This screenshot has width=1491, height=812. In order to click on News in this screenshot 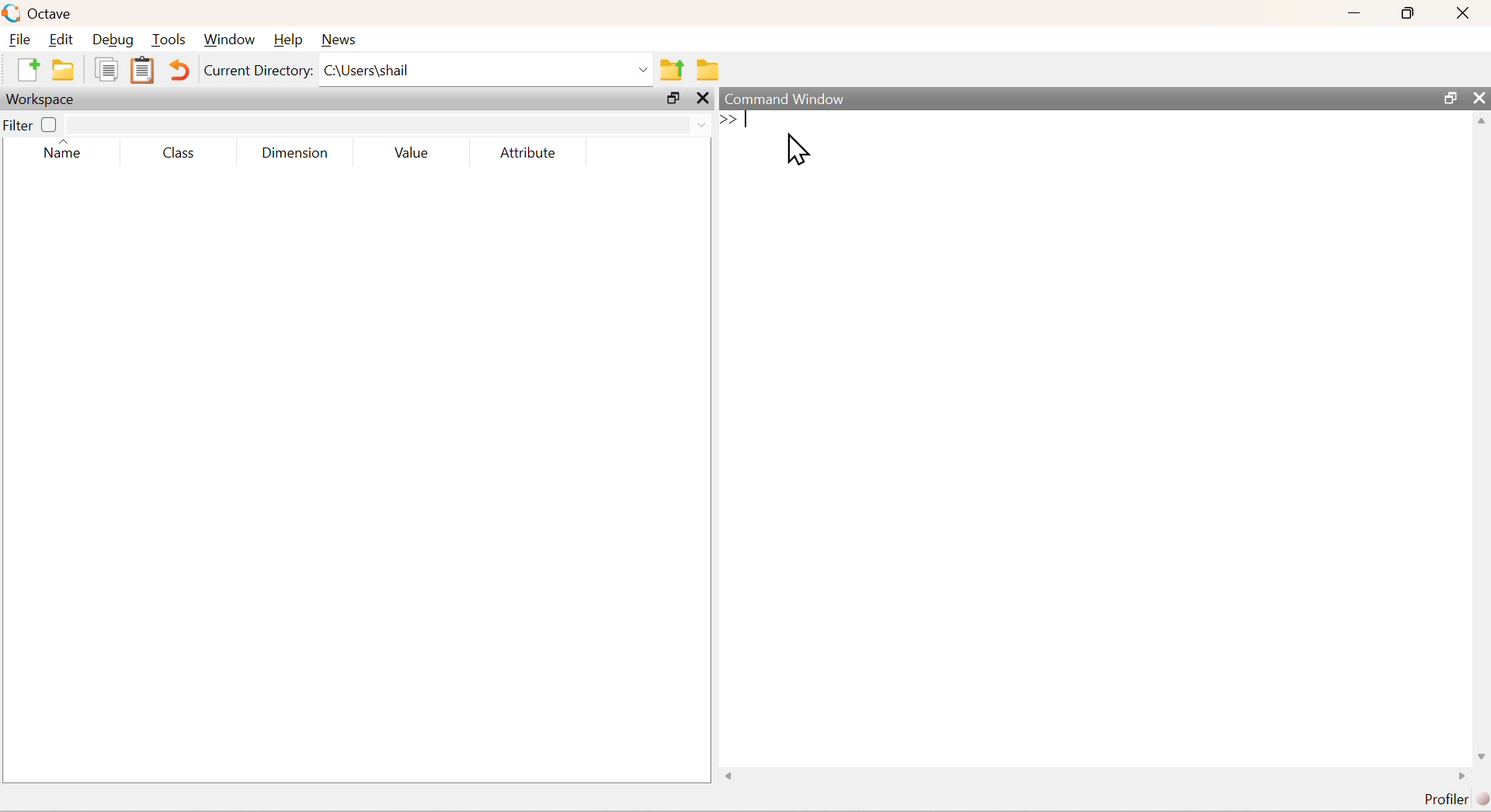, I will do `click(338, 40)`.